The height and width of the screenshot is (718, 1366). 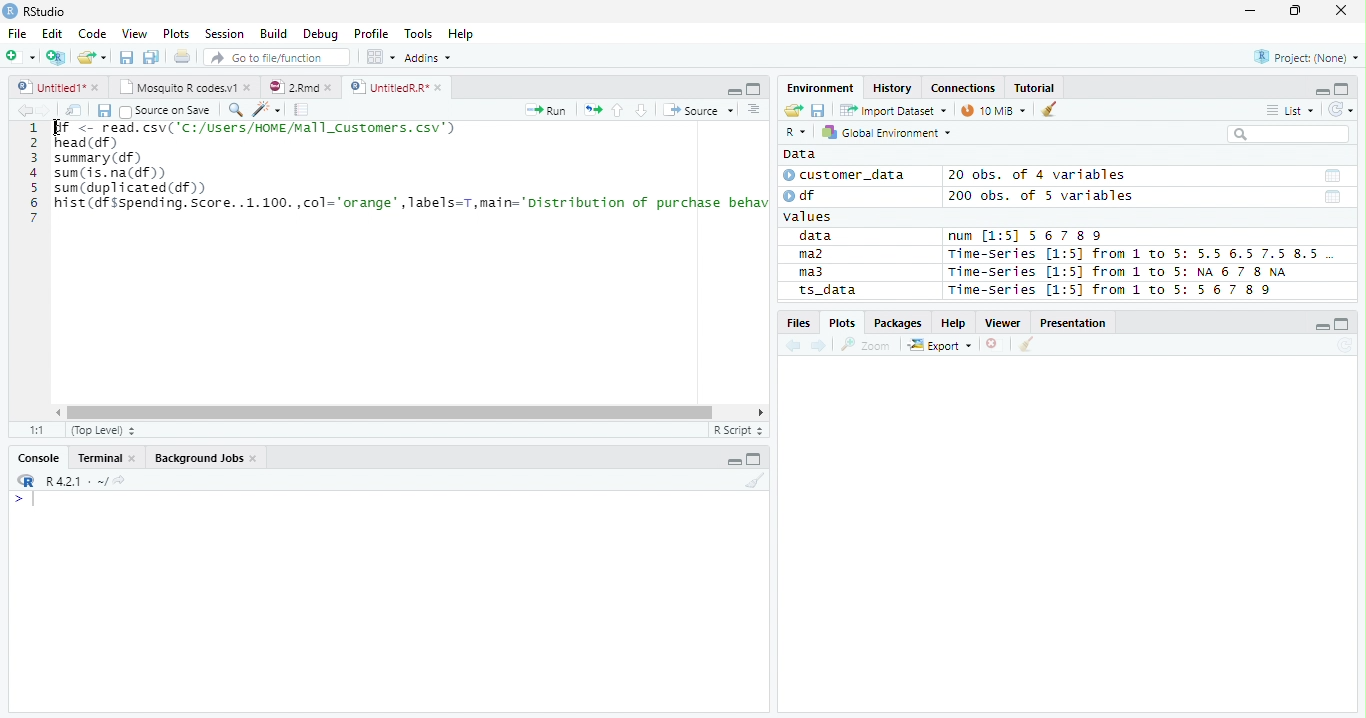 What do you see at coordinates (756, 460) in the screenshot?
I see `Maximize` at bounding box center [756, 460].